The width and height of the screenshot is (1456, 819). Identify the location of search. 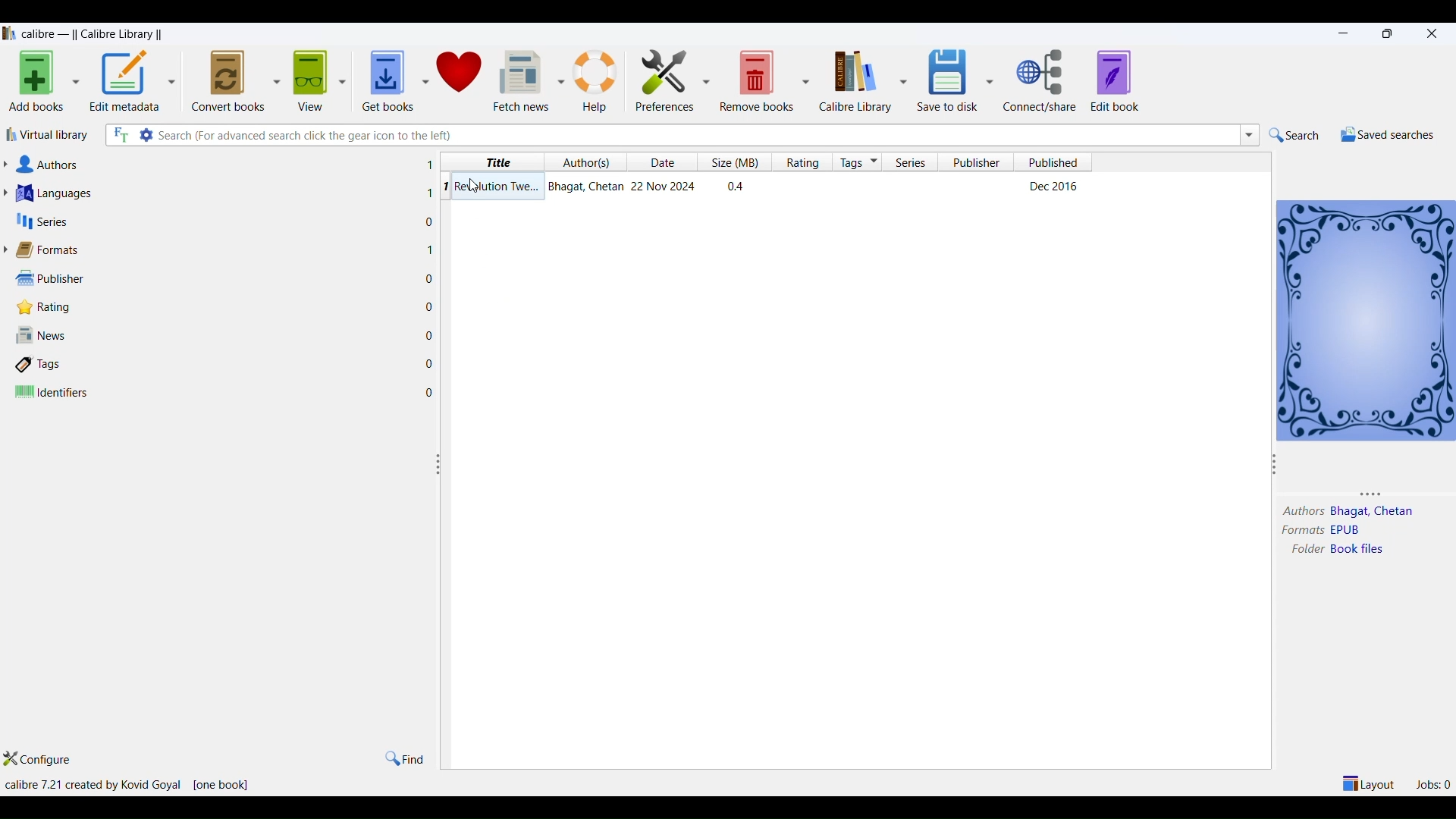
(1293, 134).